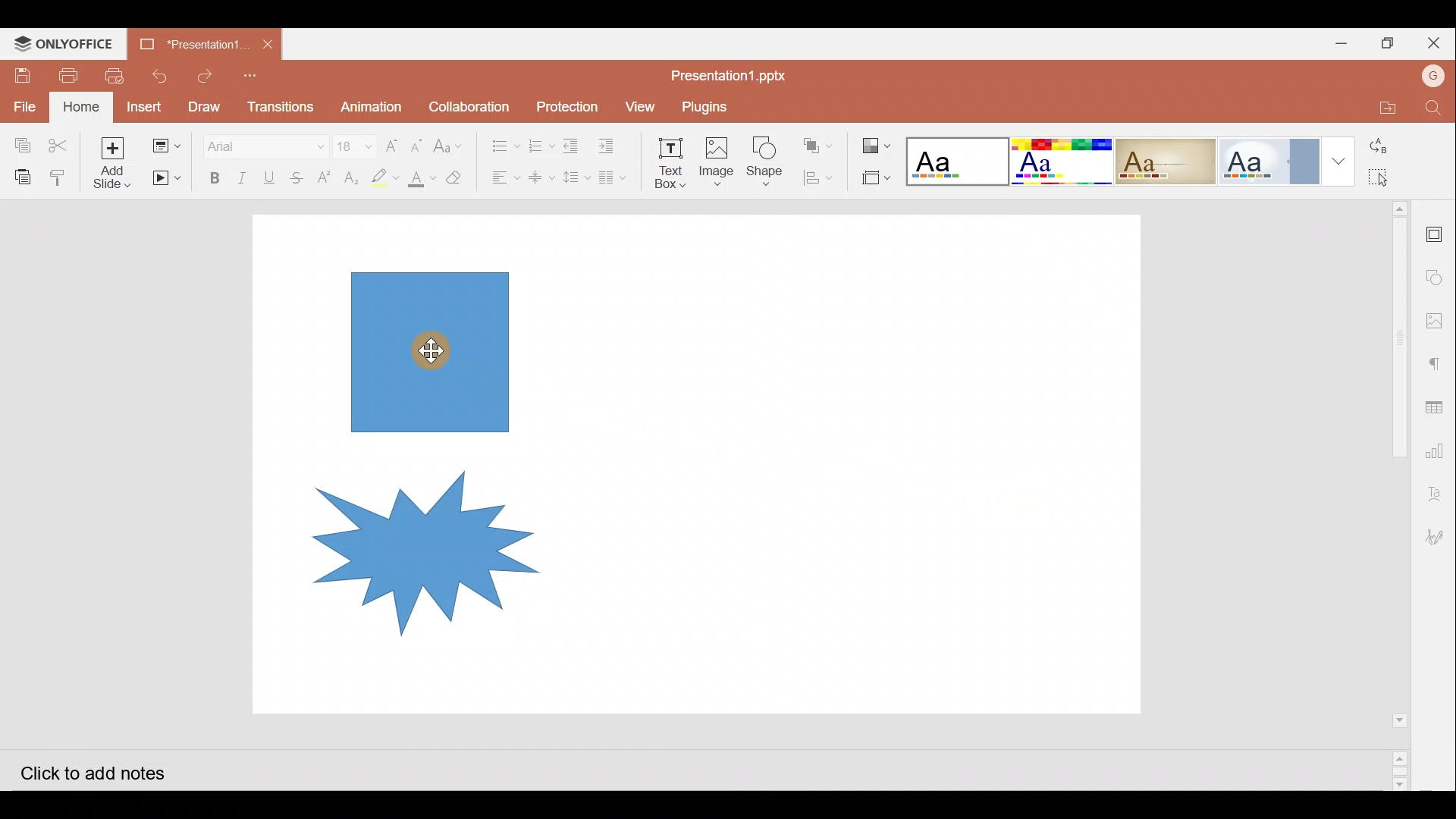 The height and width of the screenshot is (819, 1456). Describe the element at coordinates (22, 175) in the screenshot. I see `Paste` at that location.